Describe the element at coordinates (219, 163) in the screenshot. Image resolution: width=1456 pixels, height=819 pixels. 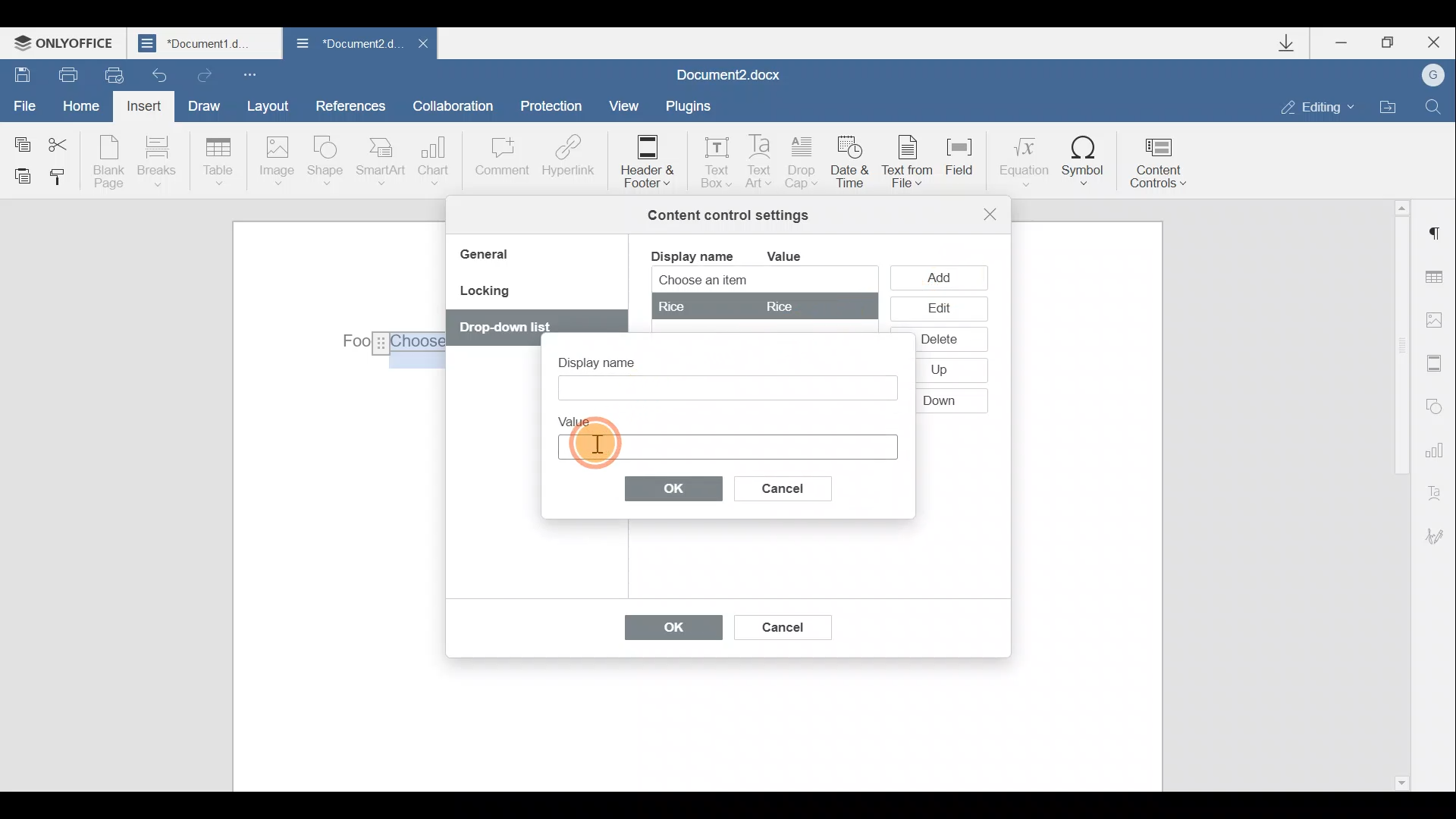
I see `Table` at that location.